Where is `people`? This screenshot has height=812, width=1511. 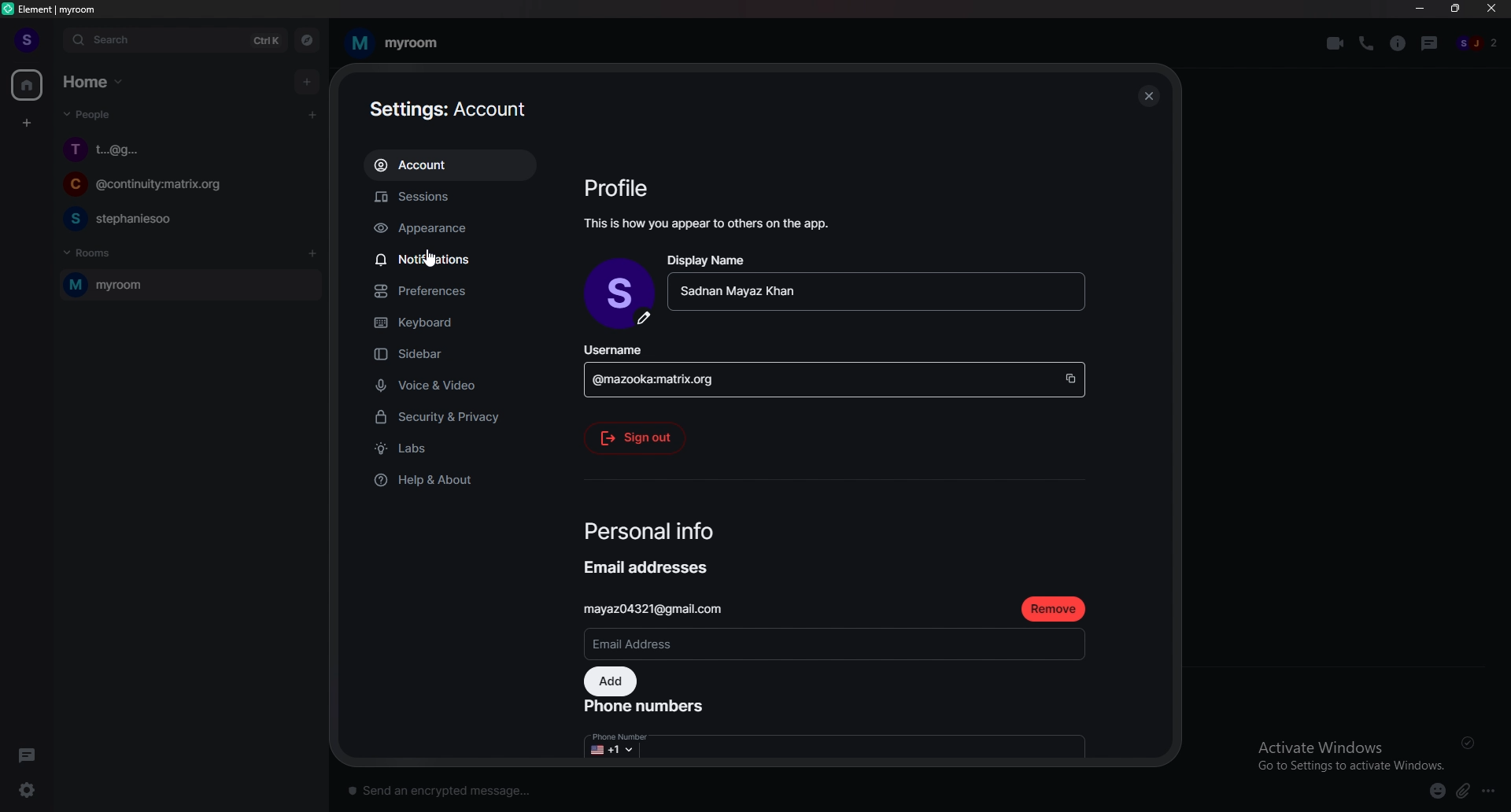 people is located at coordinates (1482, 43).